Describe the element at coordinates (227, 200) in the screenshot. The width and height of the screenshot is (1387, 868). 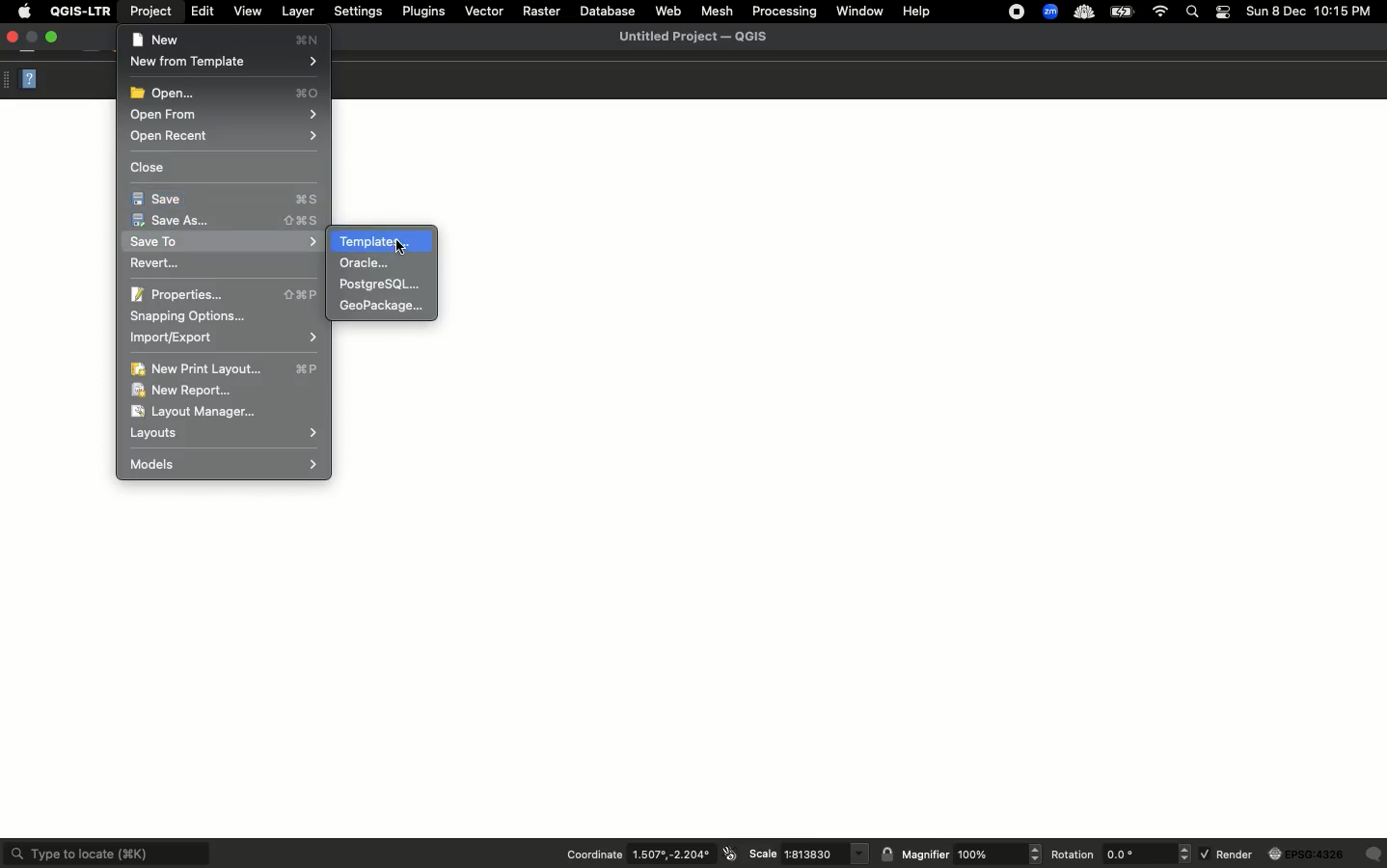
I see `Save` at that location.